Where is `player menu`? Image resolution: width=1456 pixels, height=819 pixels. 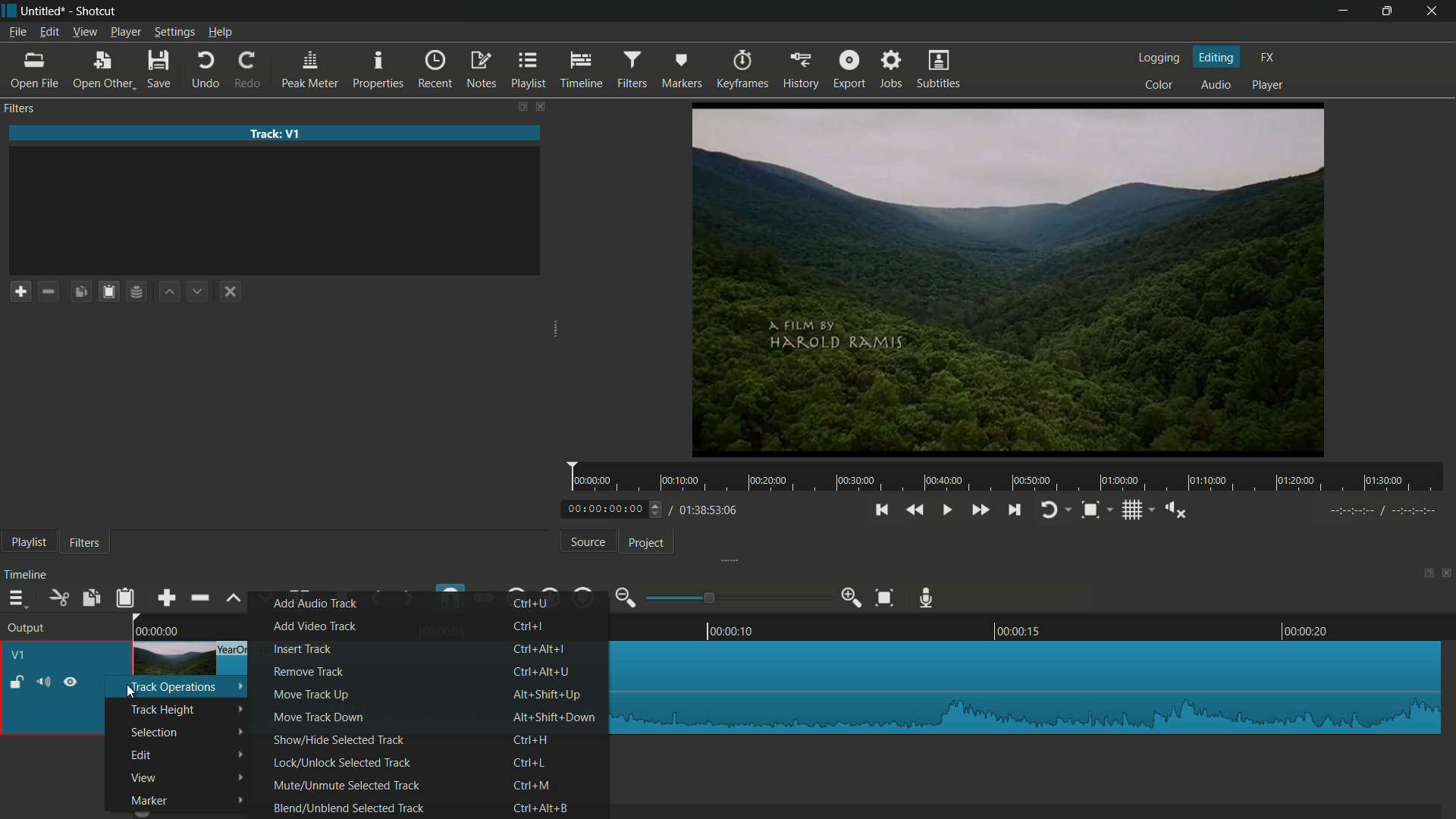 player menu is located at coordinates (126, 32).